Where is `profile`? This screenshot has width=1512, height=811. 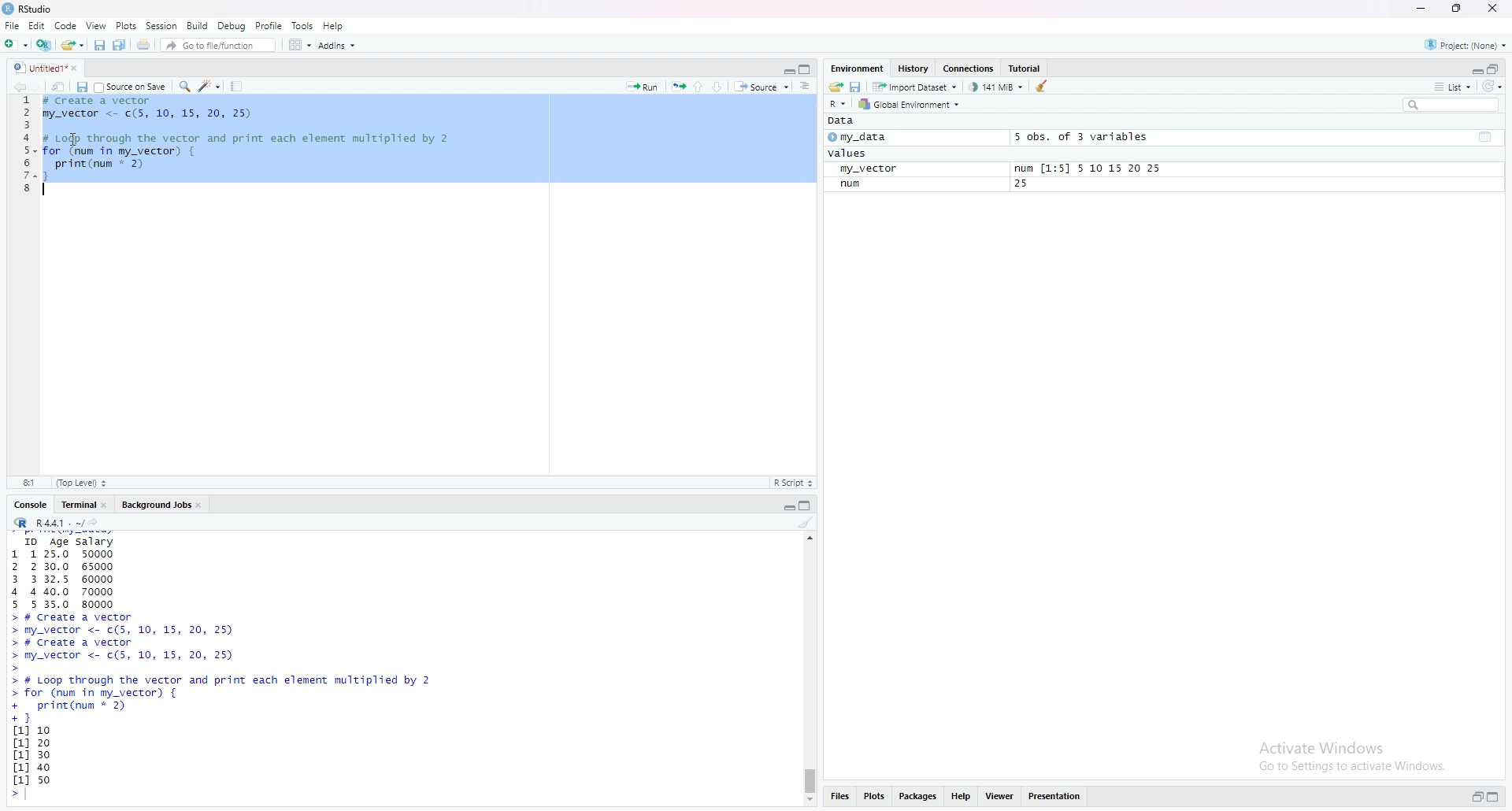
profile is located at coordinates (269, 25).